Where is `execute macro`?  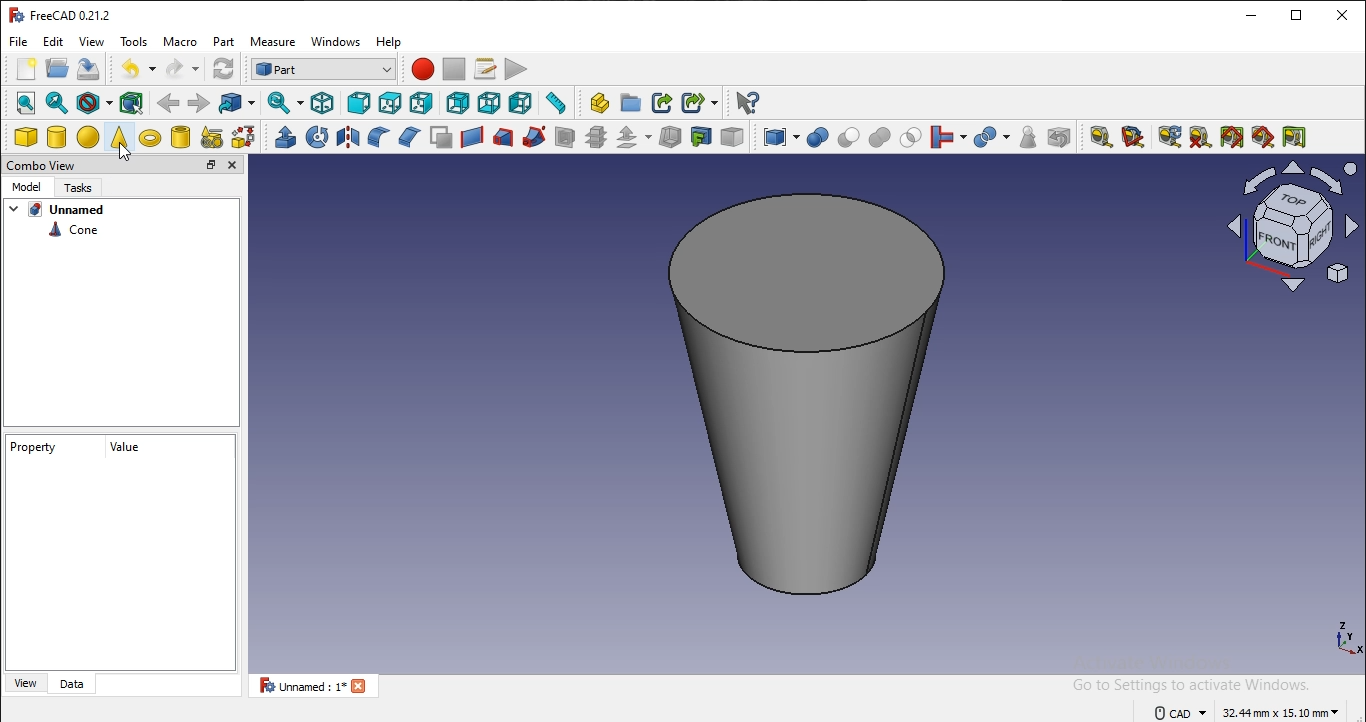
execute macro is located at coordinates (519, 69).